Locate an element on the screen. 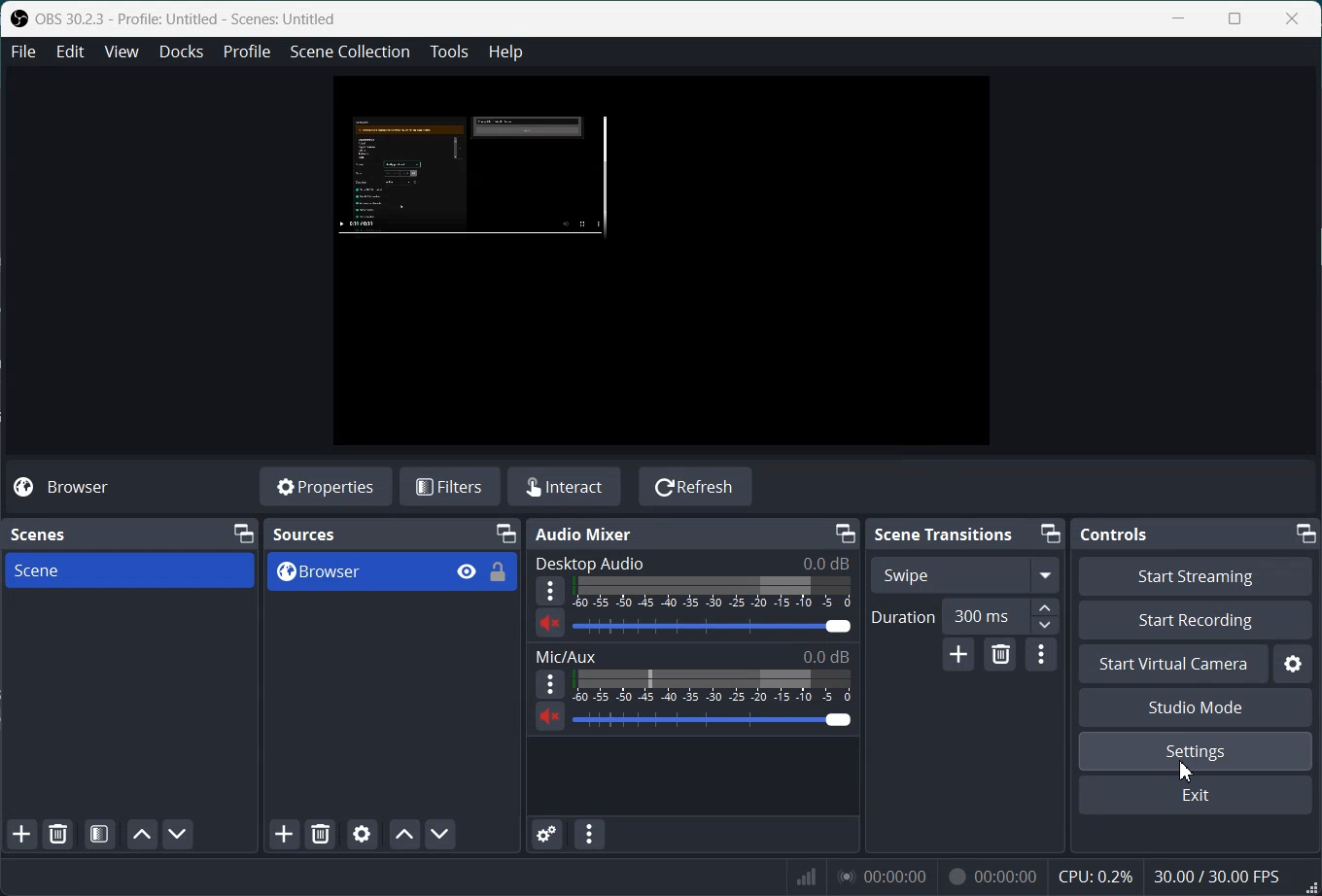 Image resolution: width=1322 pixels, height=896 pixels. Mute/ Unmute is located at coordinates (550, 717).